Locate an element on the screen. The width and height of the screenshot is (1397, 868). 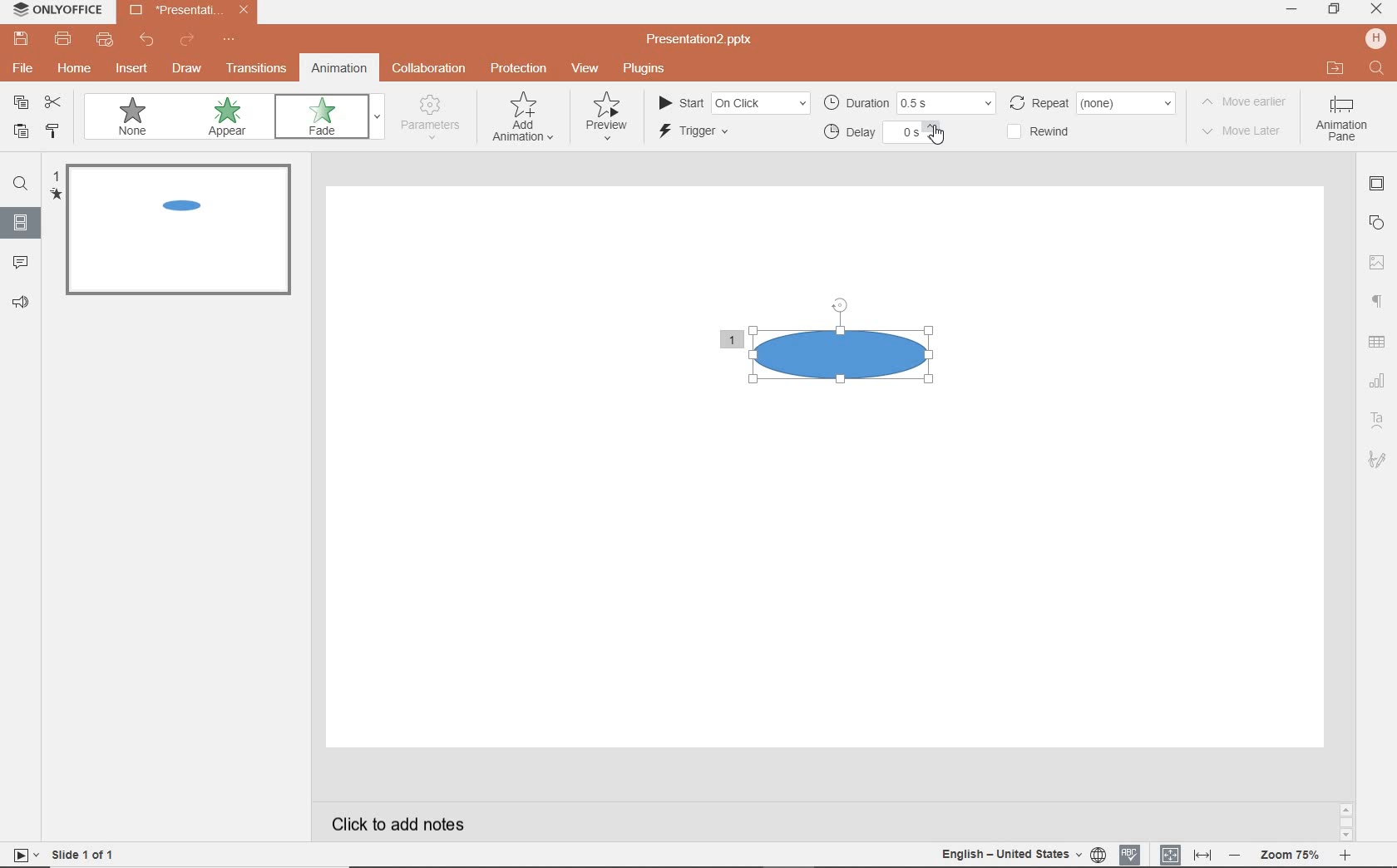
SLIDES is located at coordinates (20, 227).